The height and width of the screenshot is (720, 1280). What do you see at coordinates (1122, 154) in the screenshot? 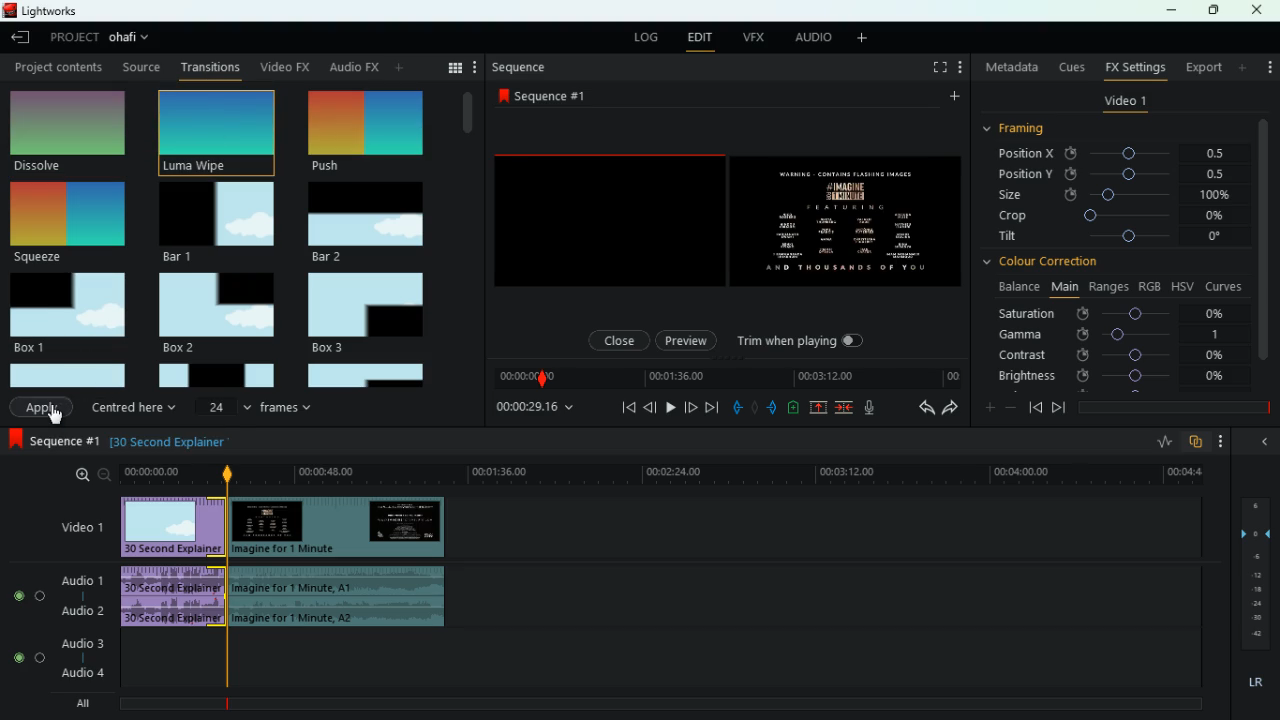
I see `position x` at bounding box center [1122, 154].